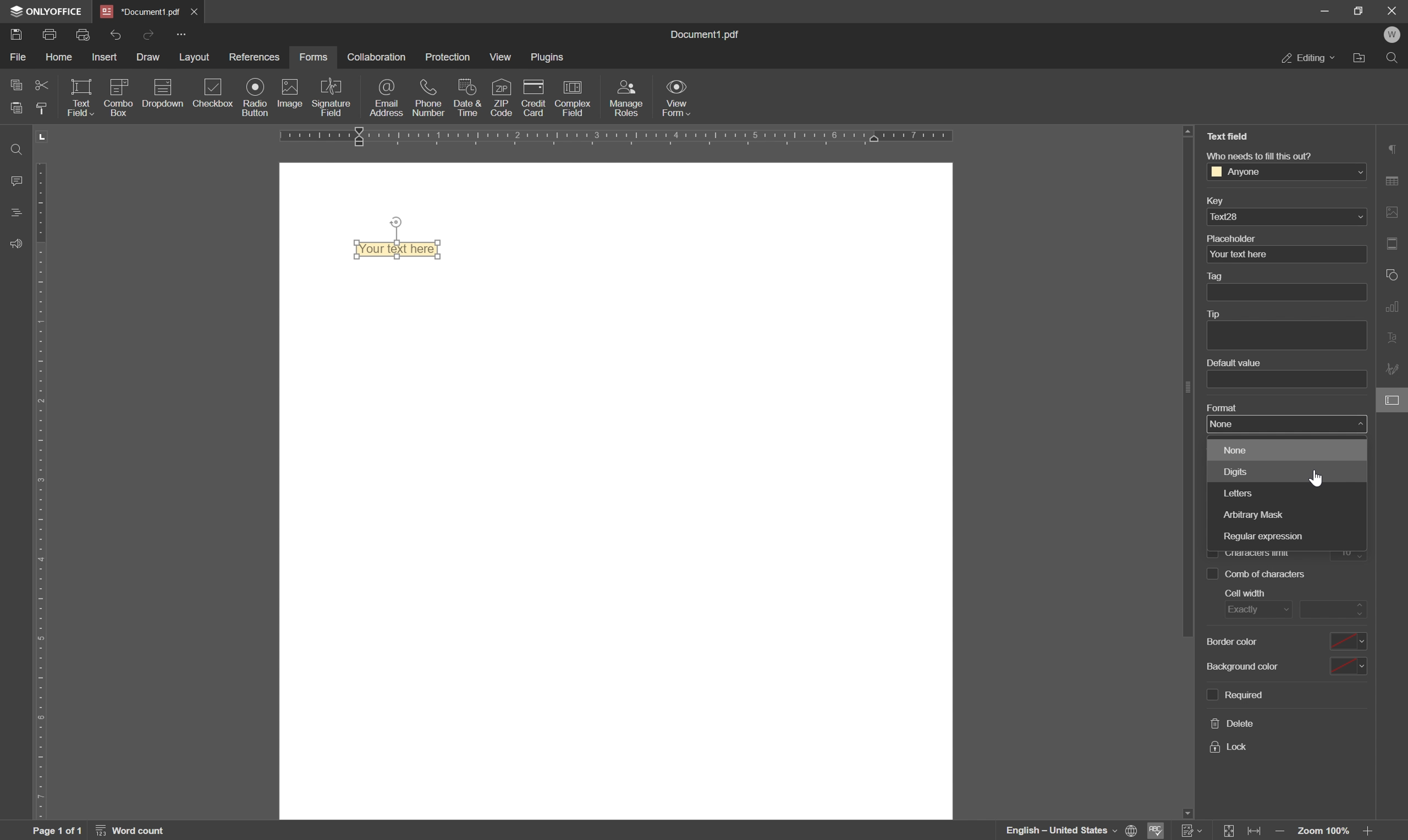  Describe the element at coordinates (15, 147) in the screenshot. I see `find` at that location.